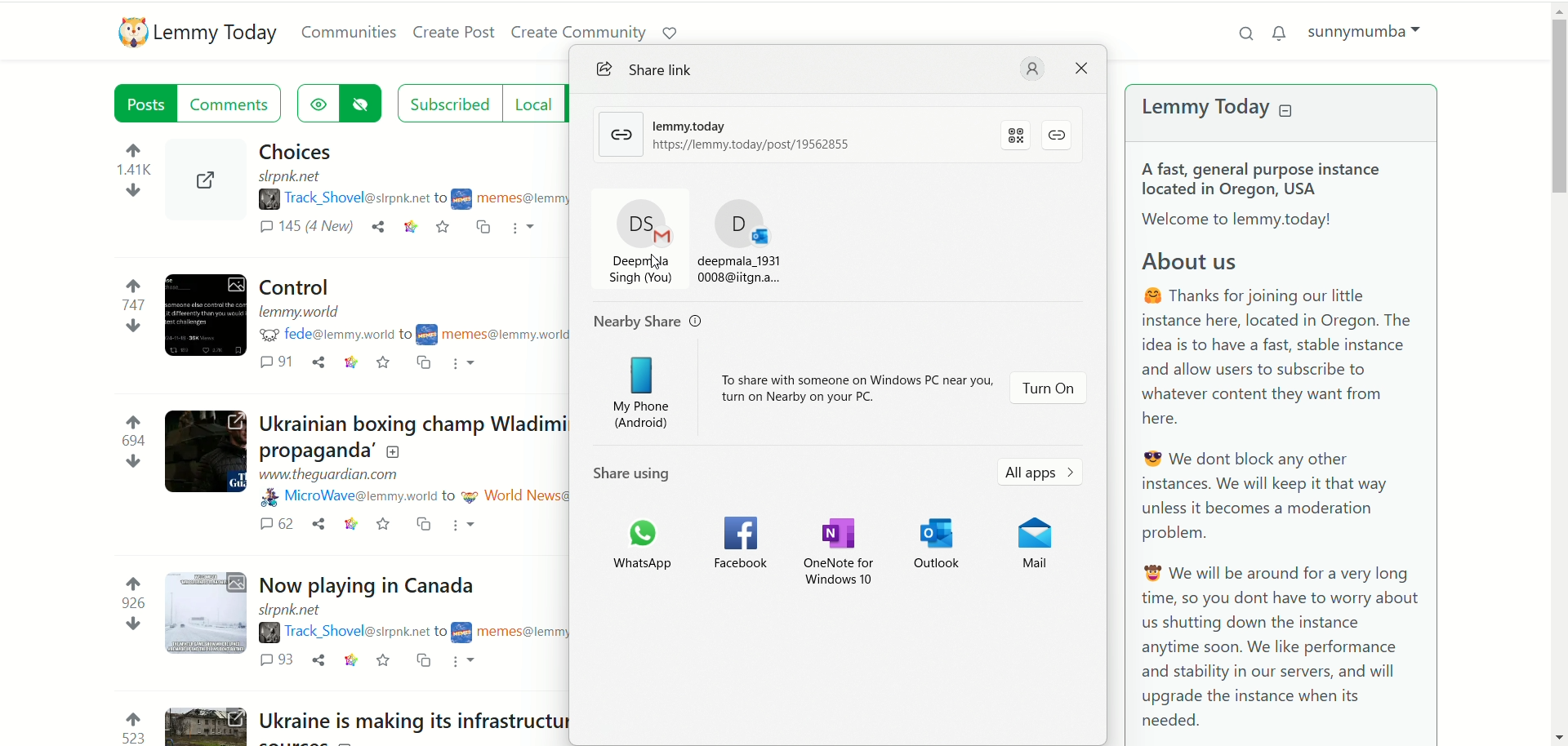 Image resolution: width=1568 pixels, height=746 pixels. I want to click on all apps, so click(1043, 470).